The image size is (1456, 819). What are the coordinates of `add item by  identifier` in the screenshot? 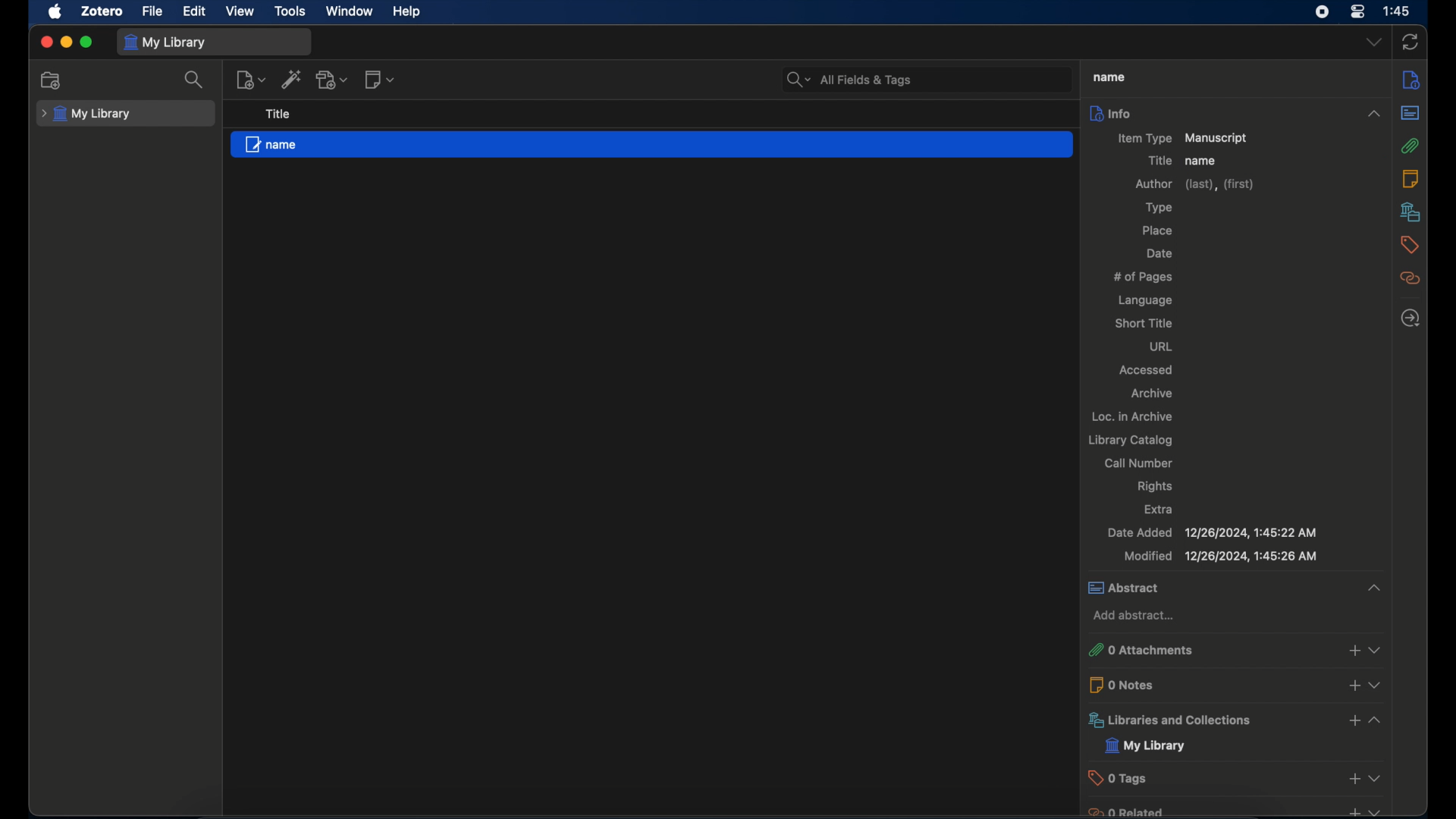 It's located at (292, 79).